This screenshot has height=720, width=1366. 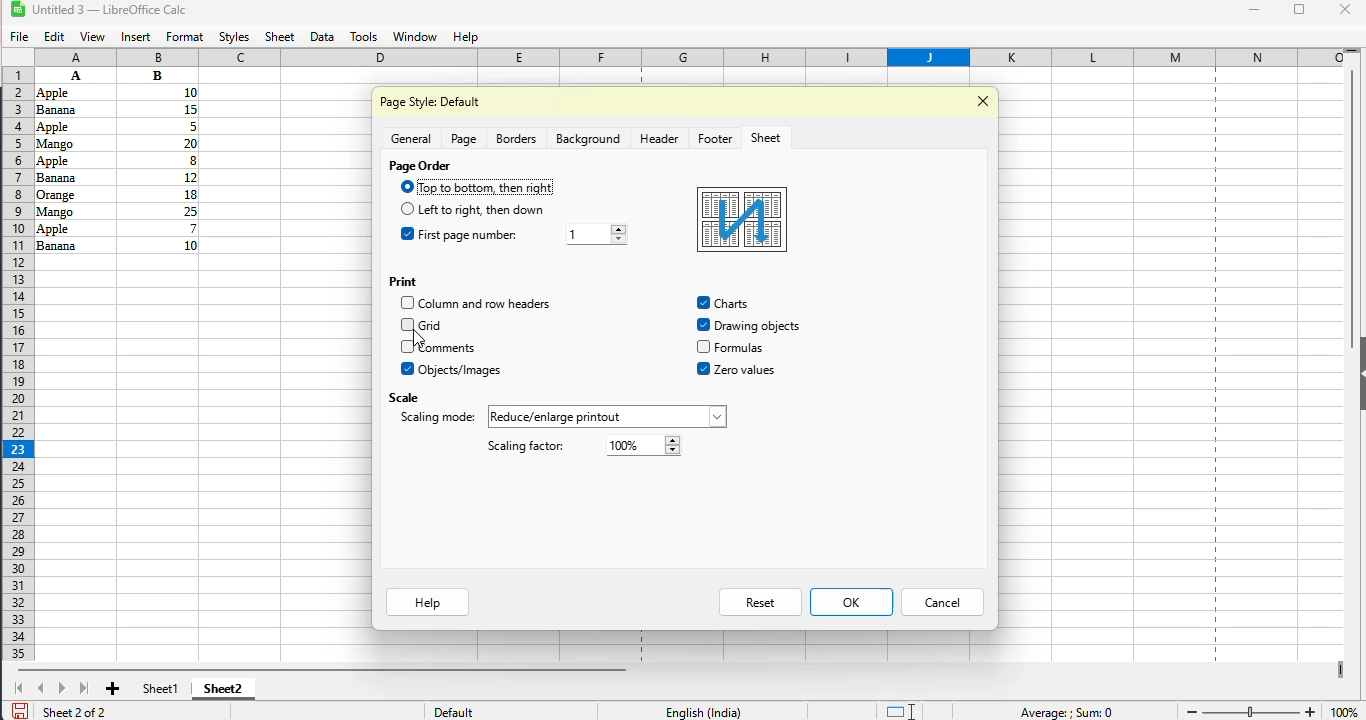 What do you see at coordinates (160, 228) in the screenshot?
I see `` at bounding box center [160, 228].